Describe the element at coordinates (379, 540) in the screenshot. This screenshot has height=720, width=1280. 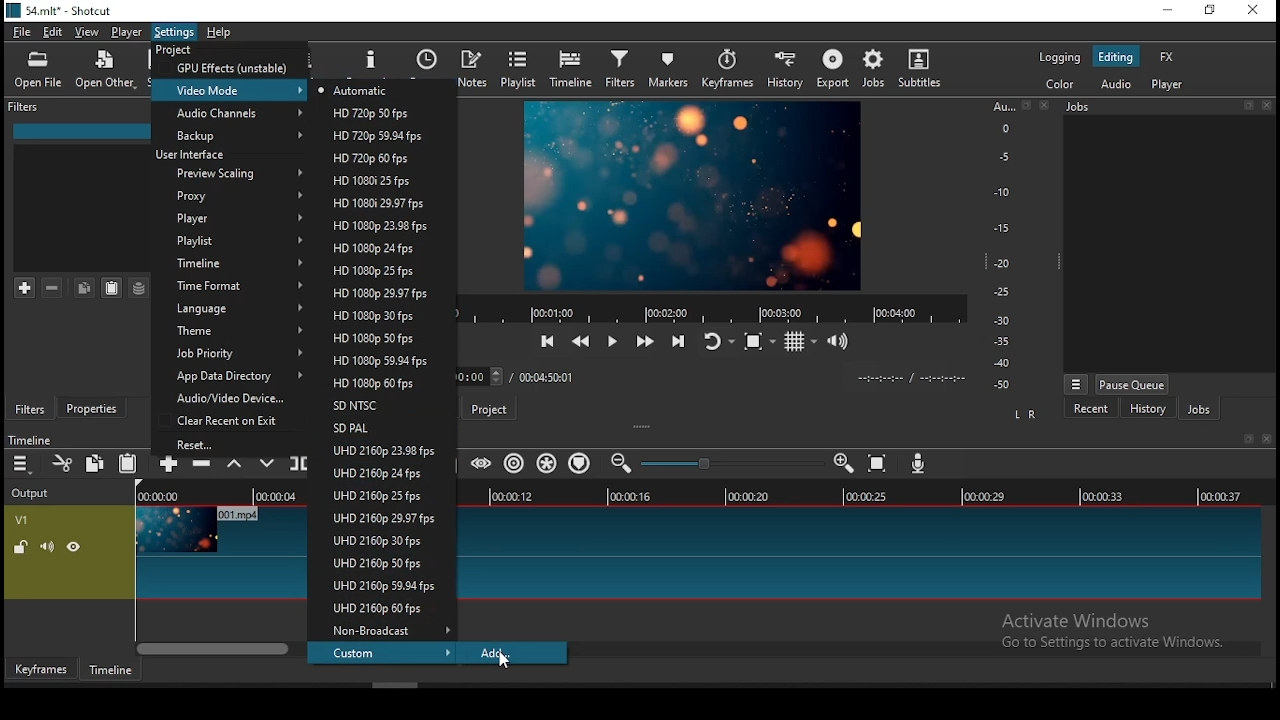
I see `resolution option` at that location.